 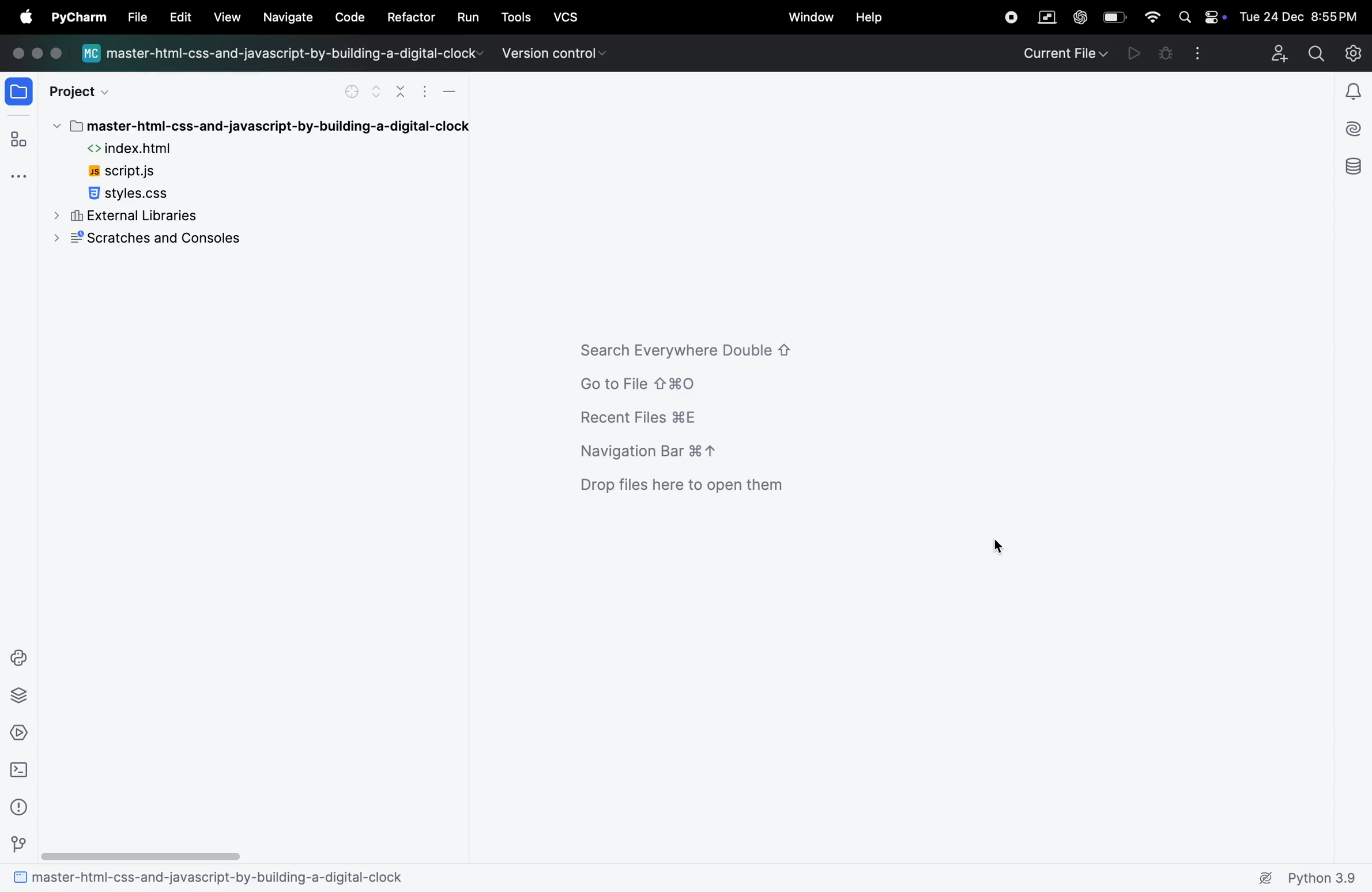 I want to click on cursor, so click(x=996, y=544).